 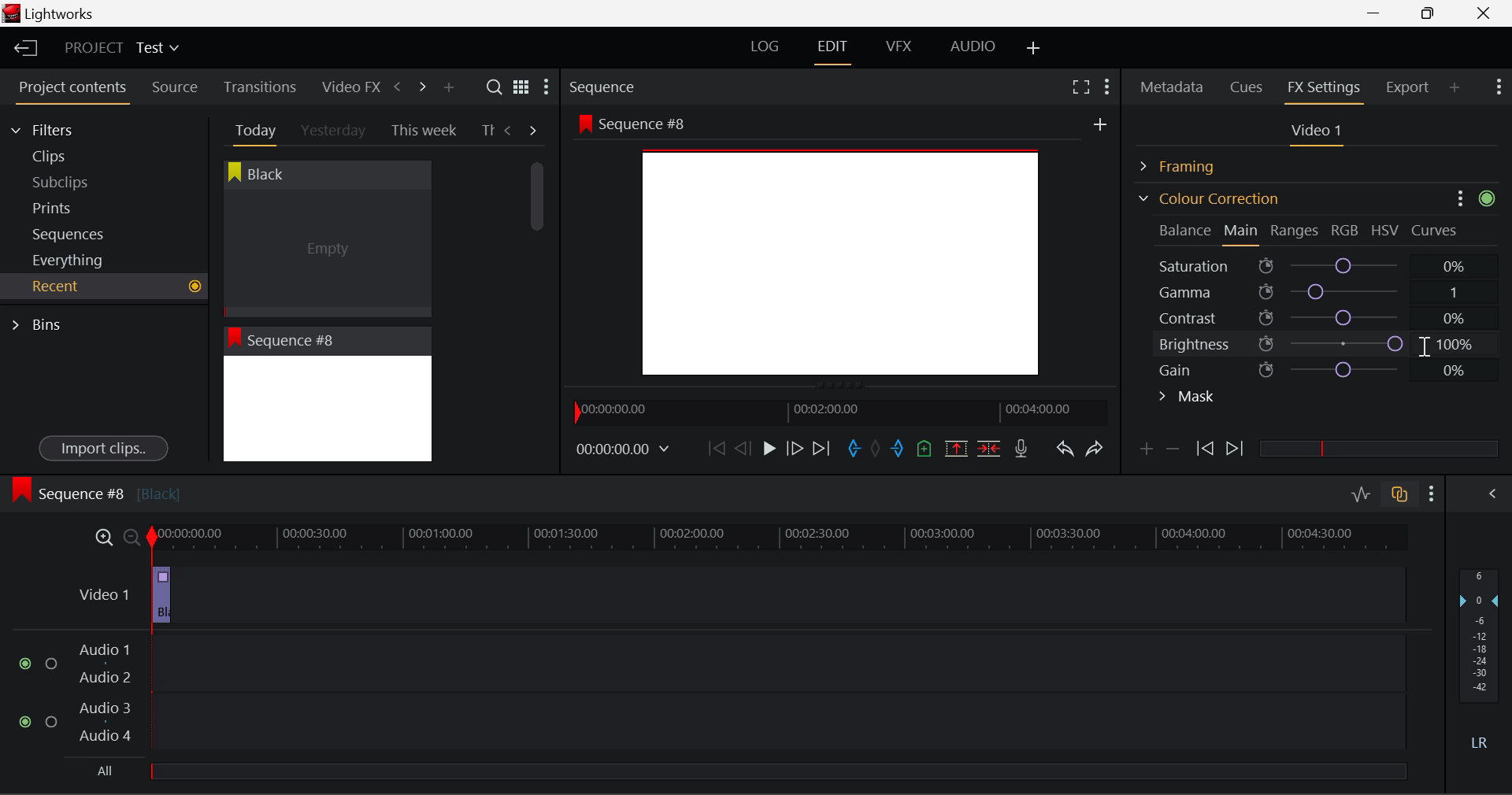 What do you see at coordinates (606, 88) in the screenshot?
I see `Sequence Preview Section` at bounding box center [606, 88].